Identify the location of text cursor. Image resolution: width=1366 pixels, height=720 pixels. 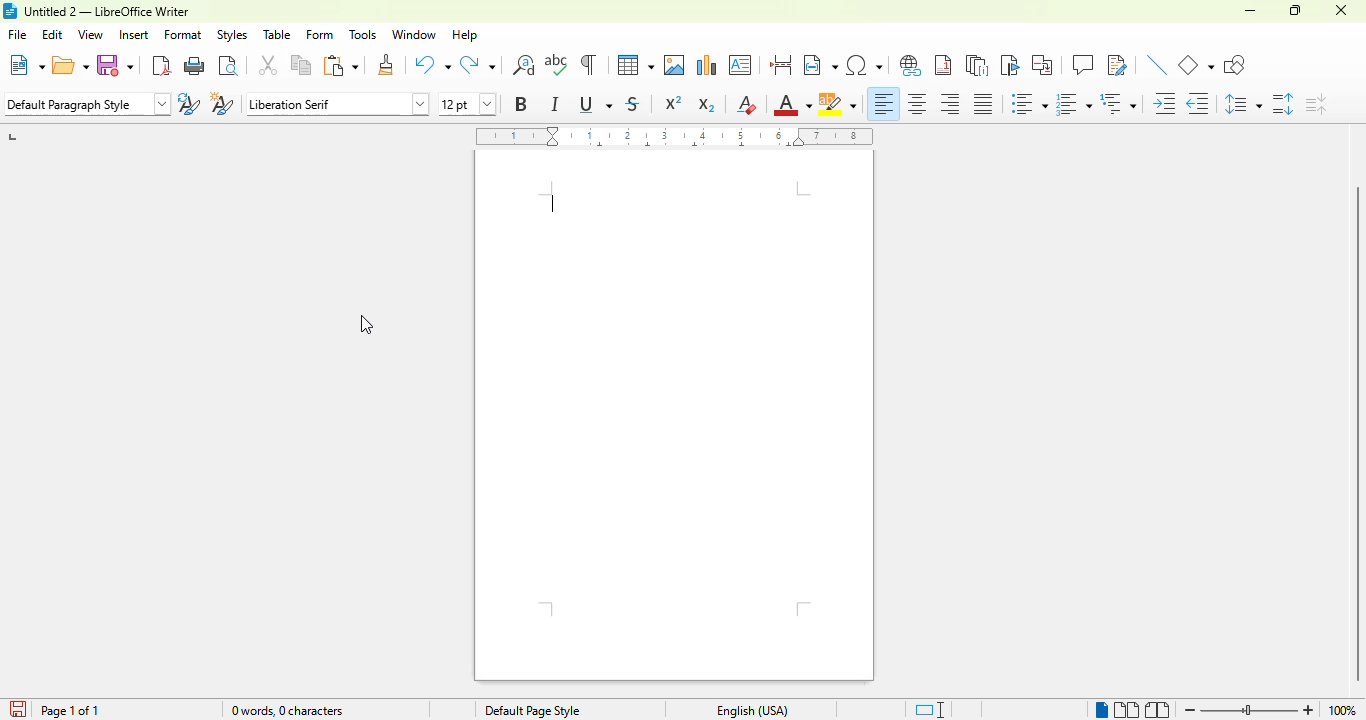
(552, 204).